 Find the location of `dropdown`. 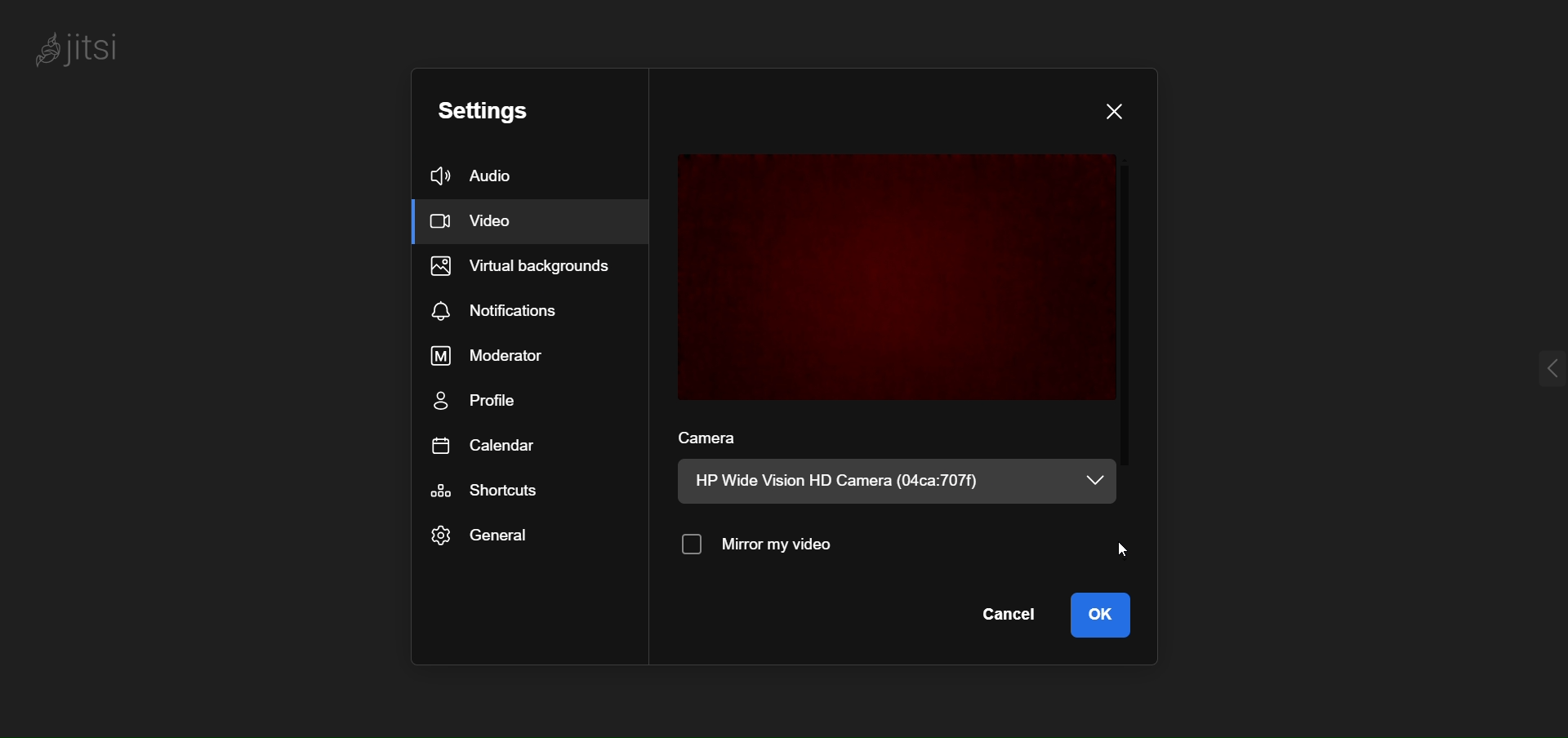

dropdown is located at coordinates (1097, 478).